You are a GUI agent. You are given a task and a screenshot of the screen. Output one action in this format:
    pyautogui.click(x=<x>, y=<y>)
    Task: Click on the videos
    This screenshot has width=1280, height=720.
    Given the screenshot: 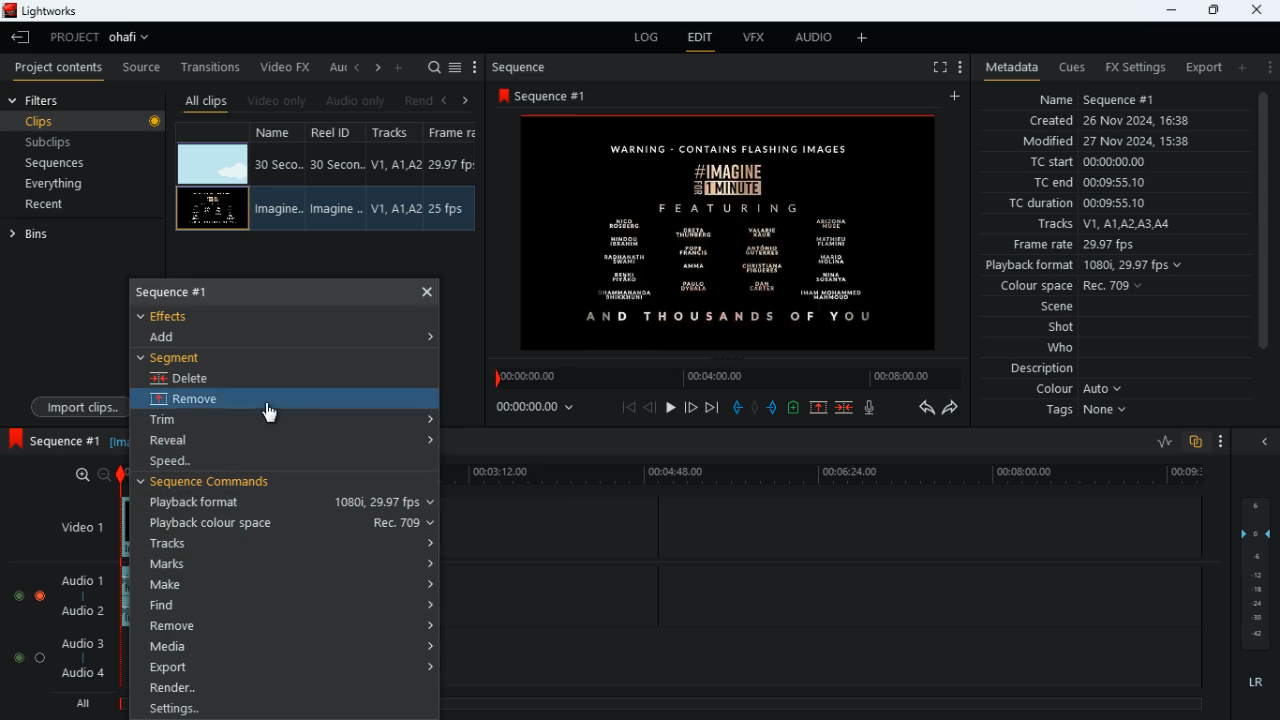 What is the action you would take?
    pyautogui.click(x=211, y=208)
    